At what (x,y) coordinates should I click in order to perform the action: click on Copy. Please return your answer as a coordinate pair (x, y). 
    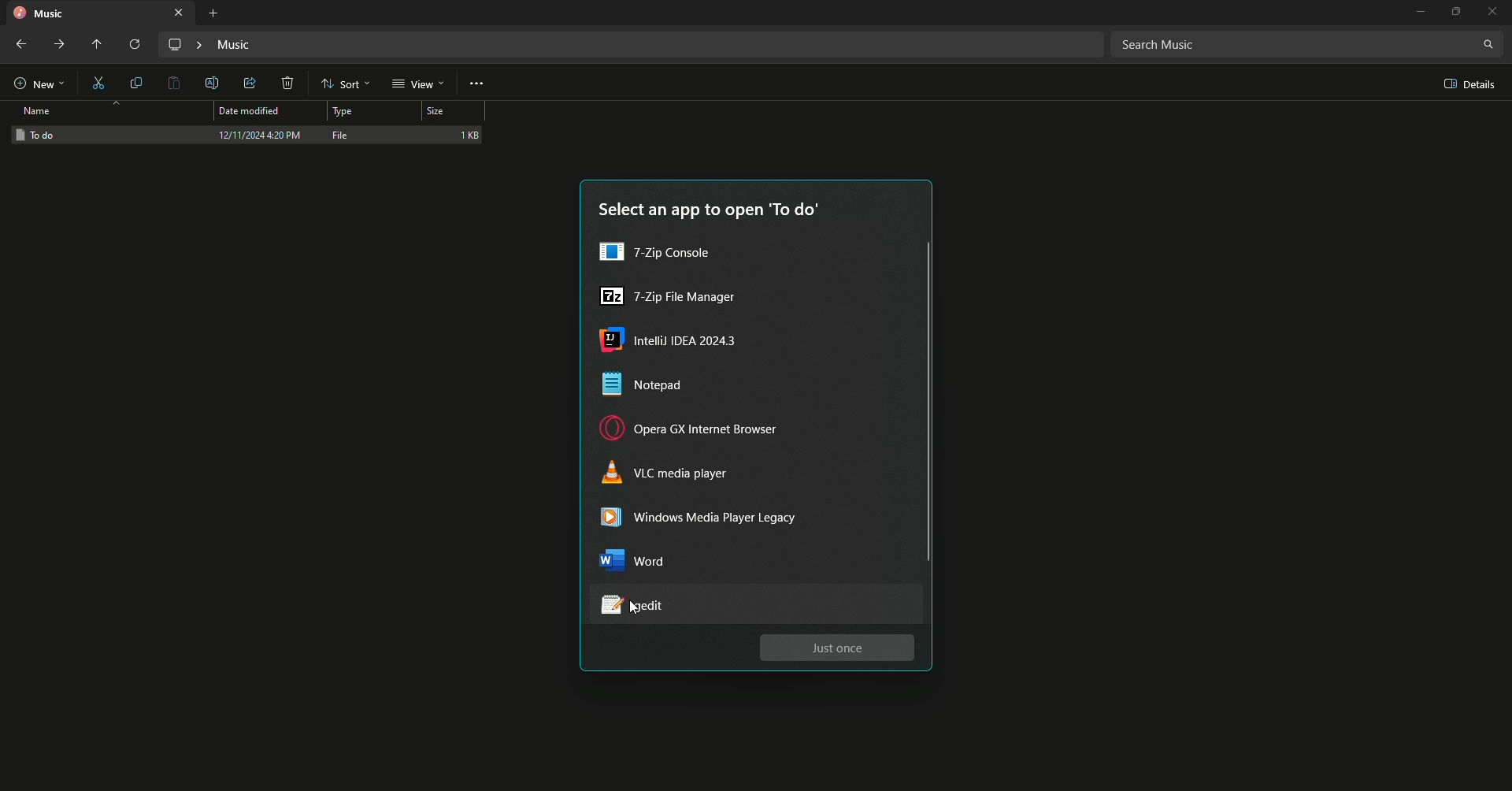
    Looking at the image, I should click on (137, 84).